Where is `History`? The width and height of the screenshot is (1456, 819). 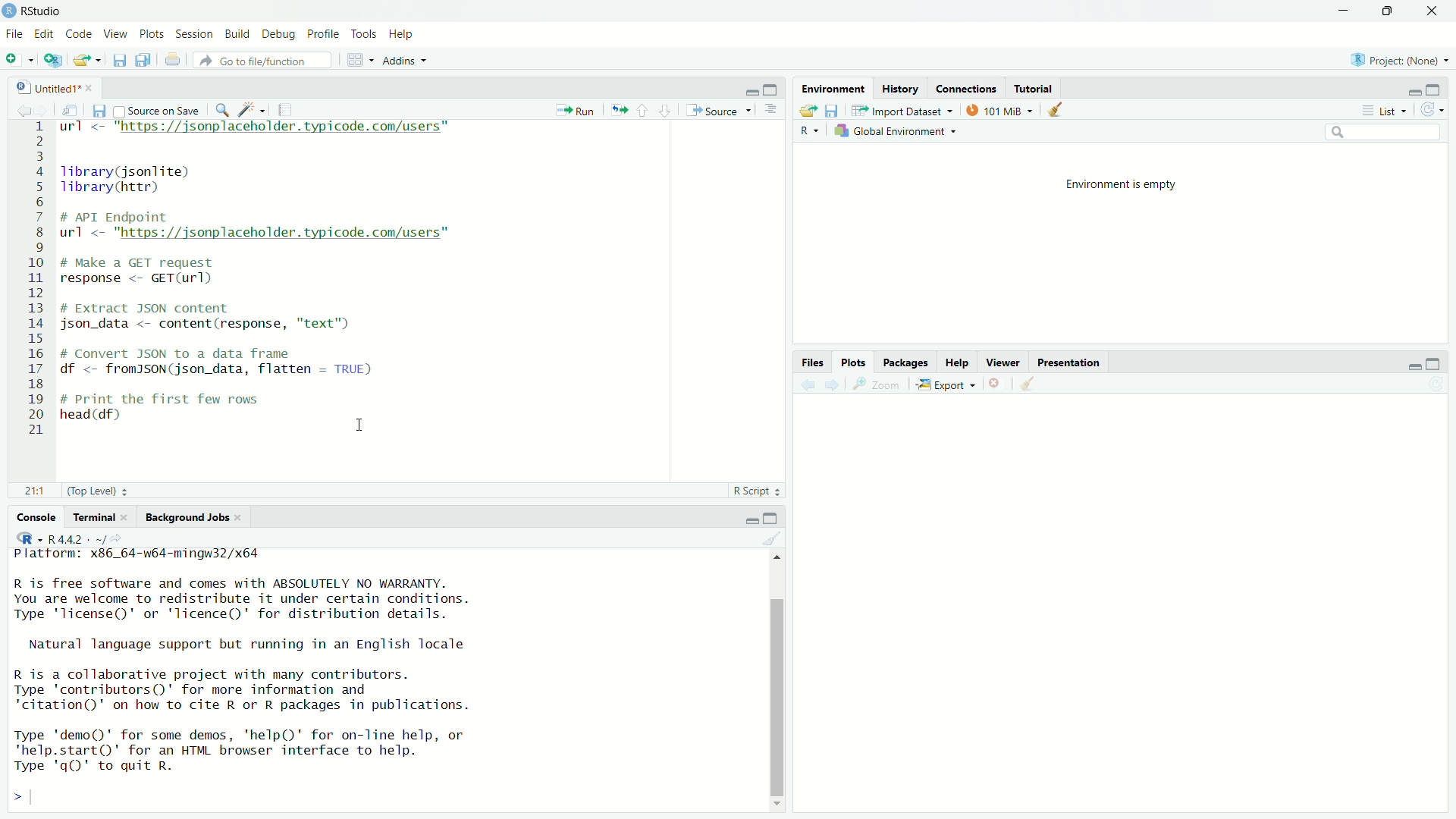
History is located at coordinates (901, 89).